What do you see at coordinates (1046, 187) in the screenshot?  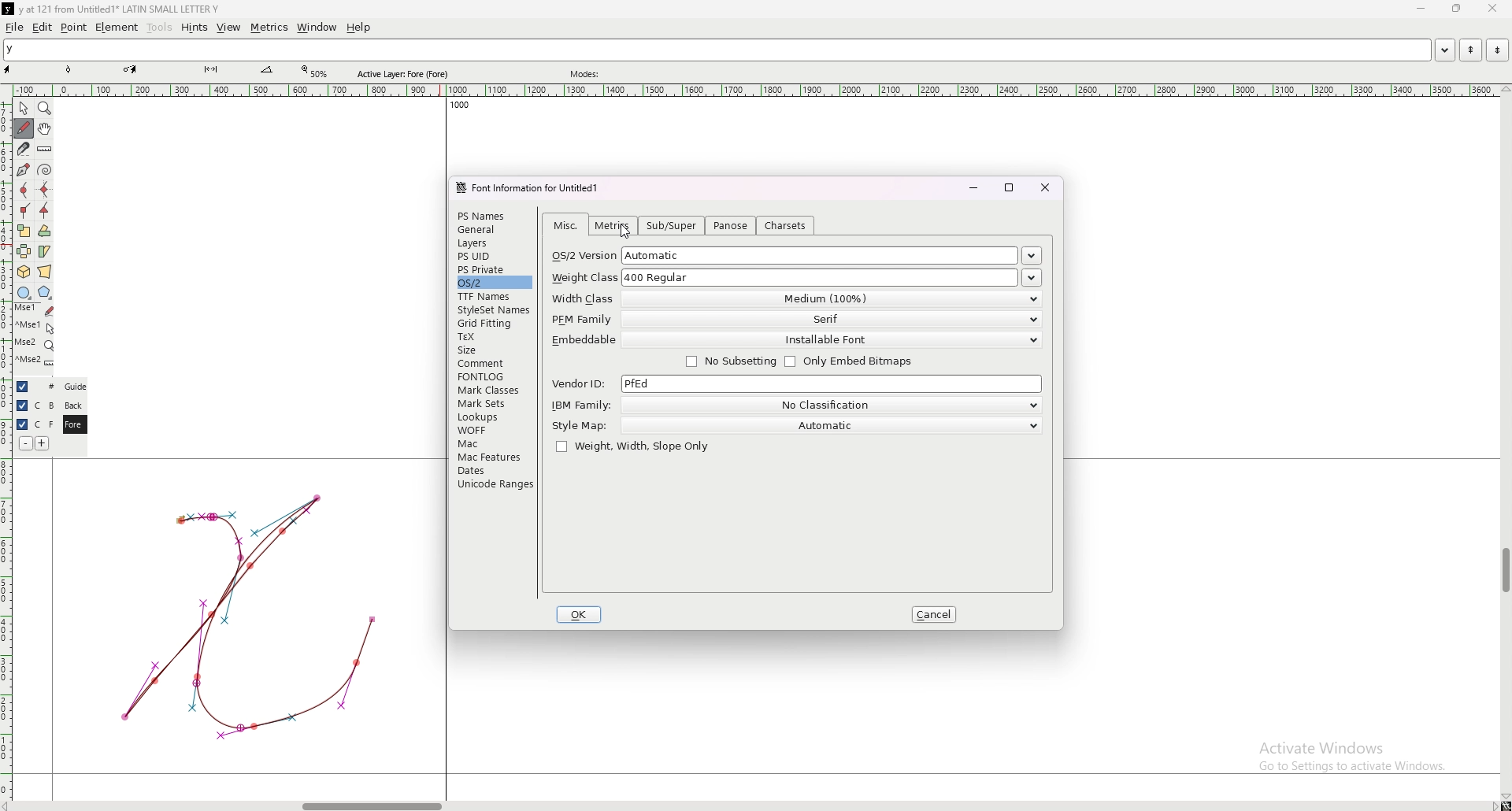 I see `close` at bounding box center [1046, 187].